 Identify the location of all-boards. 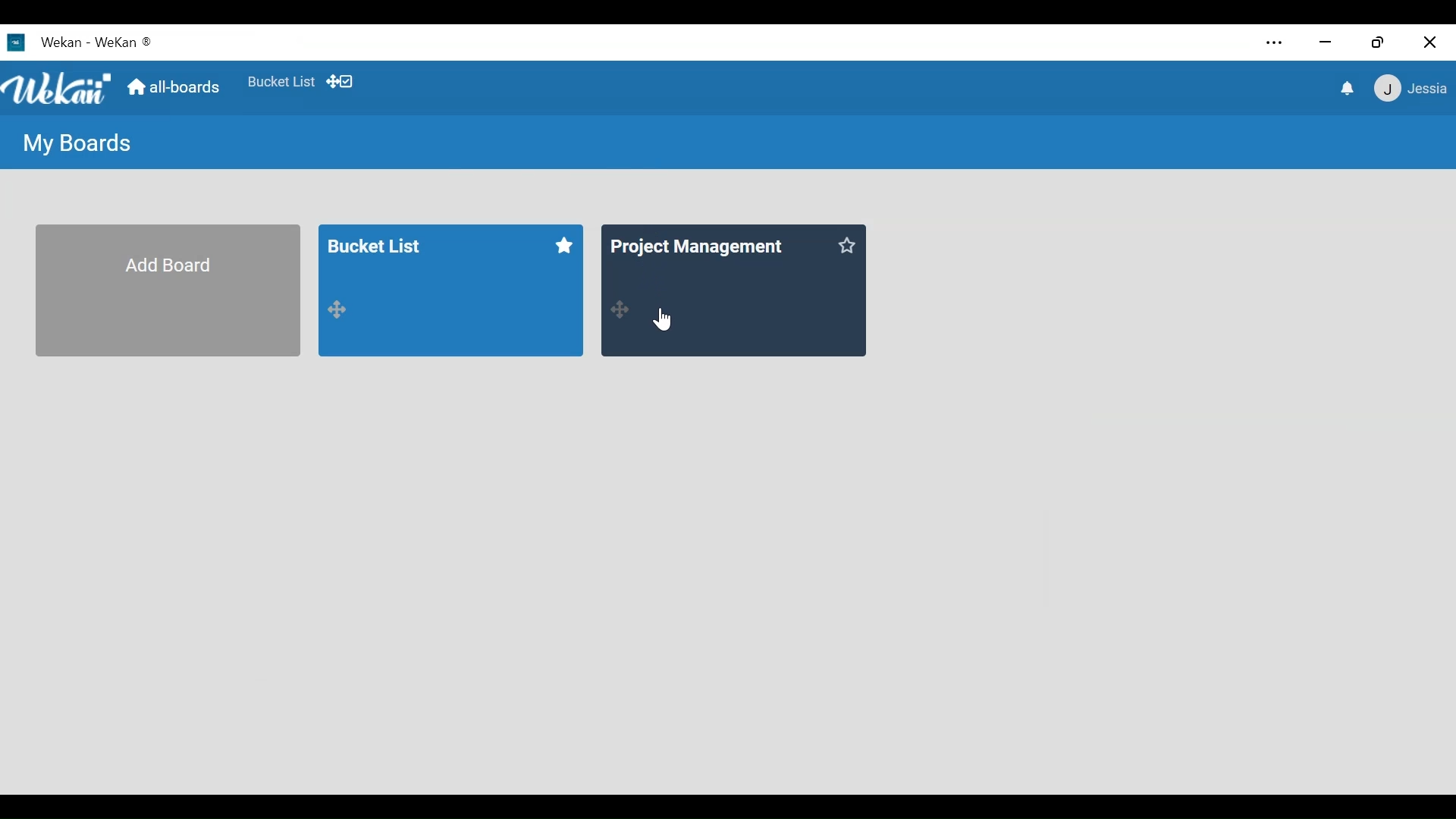
(174, 88).